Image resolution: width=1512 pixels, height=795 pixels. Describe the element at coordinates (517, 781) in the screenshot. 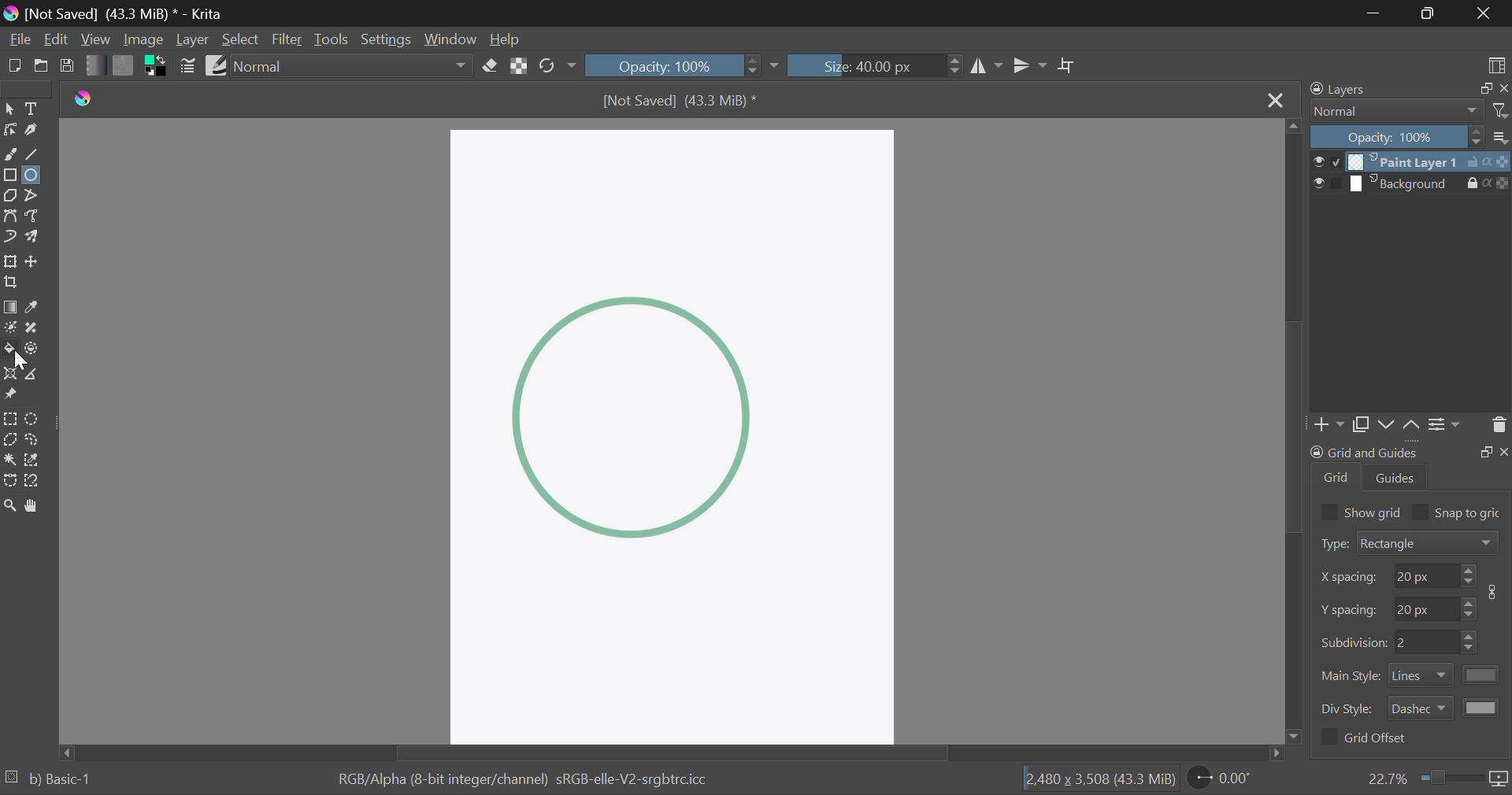

I see `Color Information` at that location.